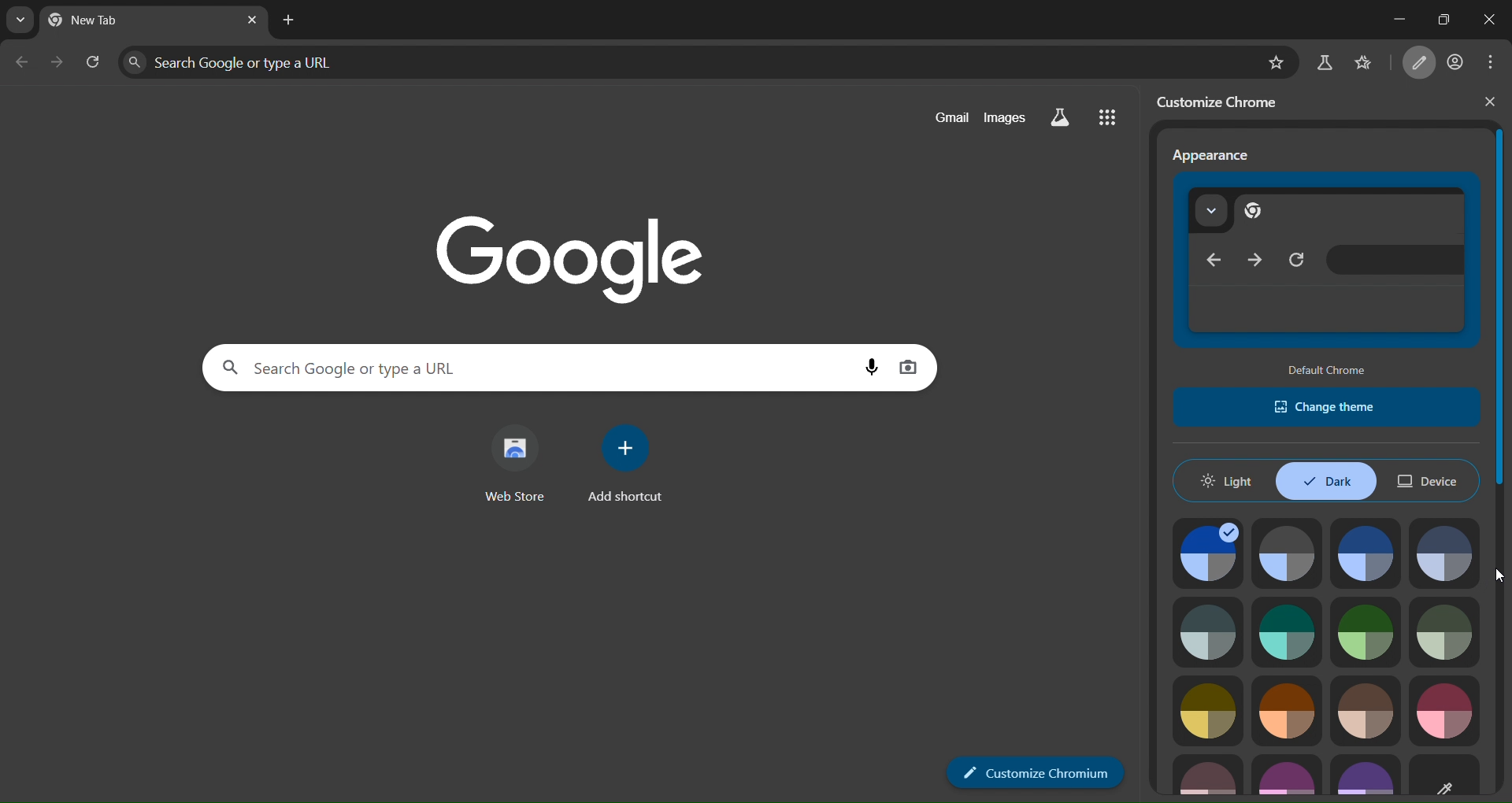  I want to click on image, so click(1366, 631).